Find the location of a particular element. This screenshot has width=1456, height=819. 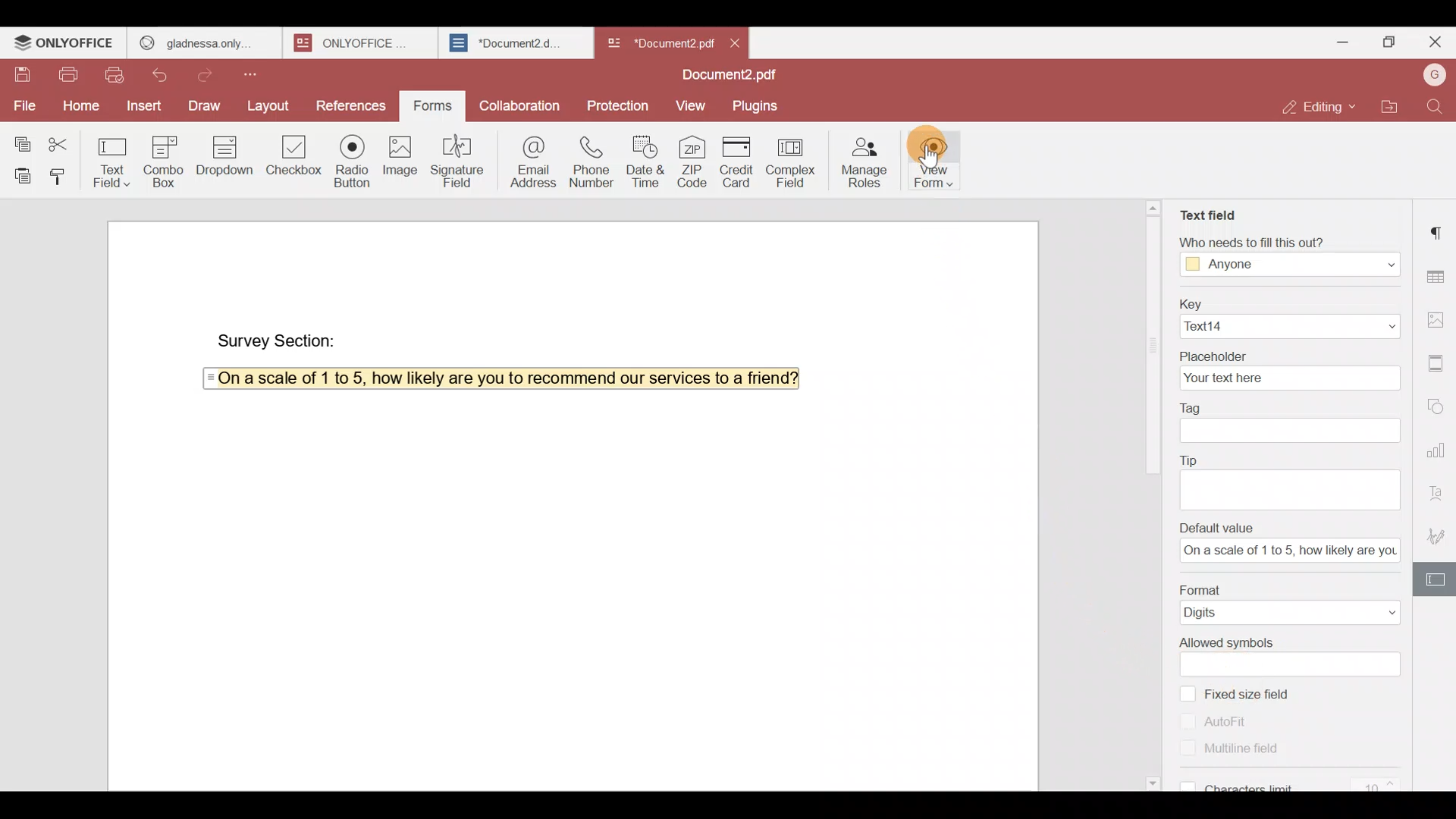

Redo is located at coordinates (210, 73).